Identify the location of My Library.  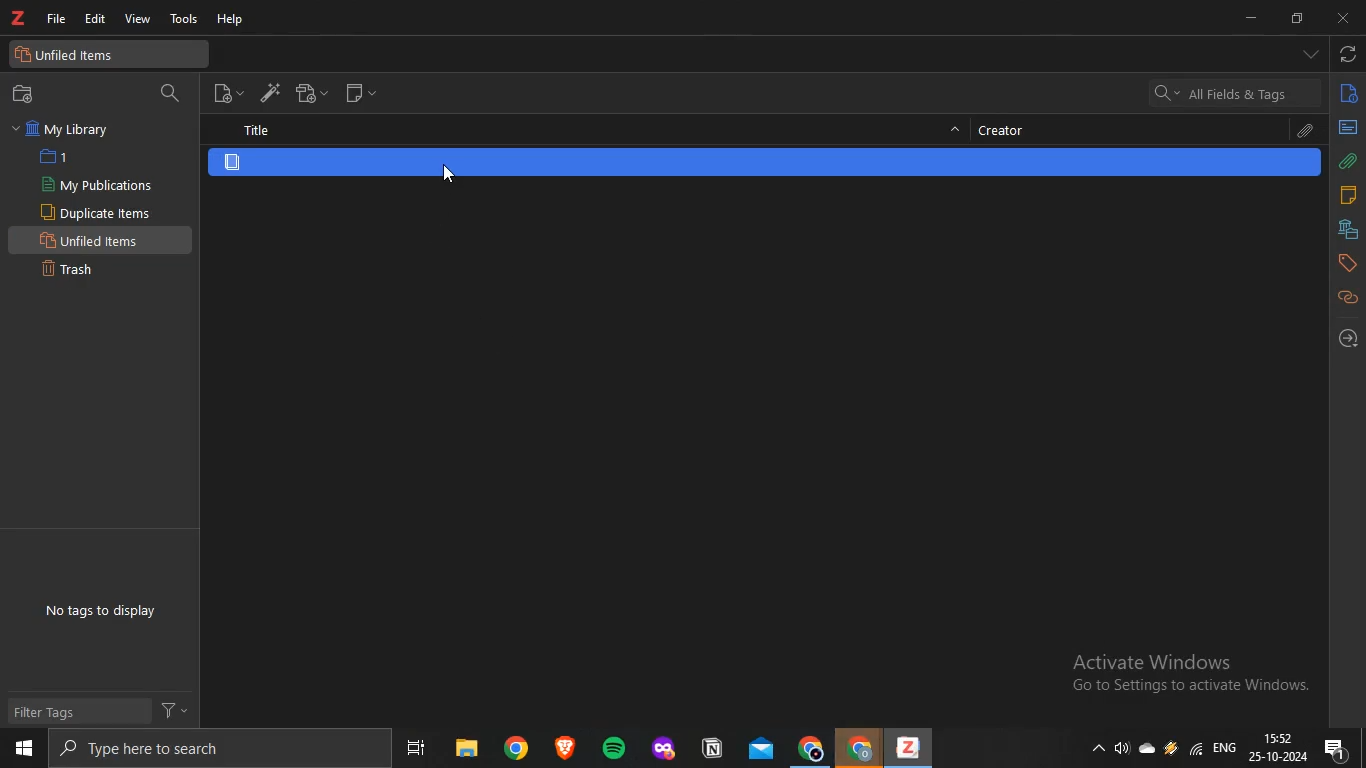
(64, 129).